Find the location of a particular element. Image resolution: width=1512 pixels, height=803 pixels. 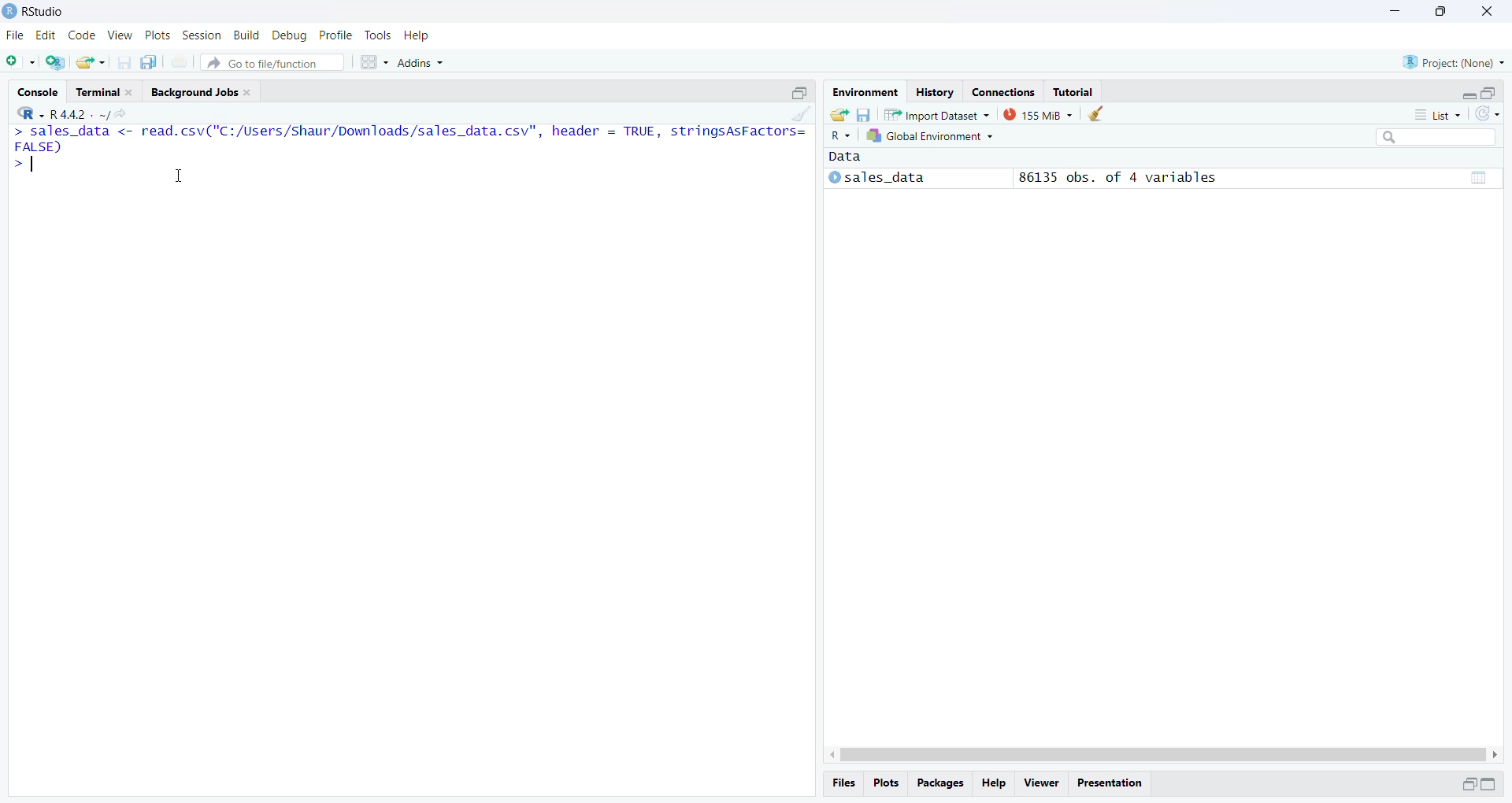

Addins is located at coordinates (421, 62).